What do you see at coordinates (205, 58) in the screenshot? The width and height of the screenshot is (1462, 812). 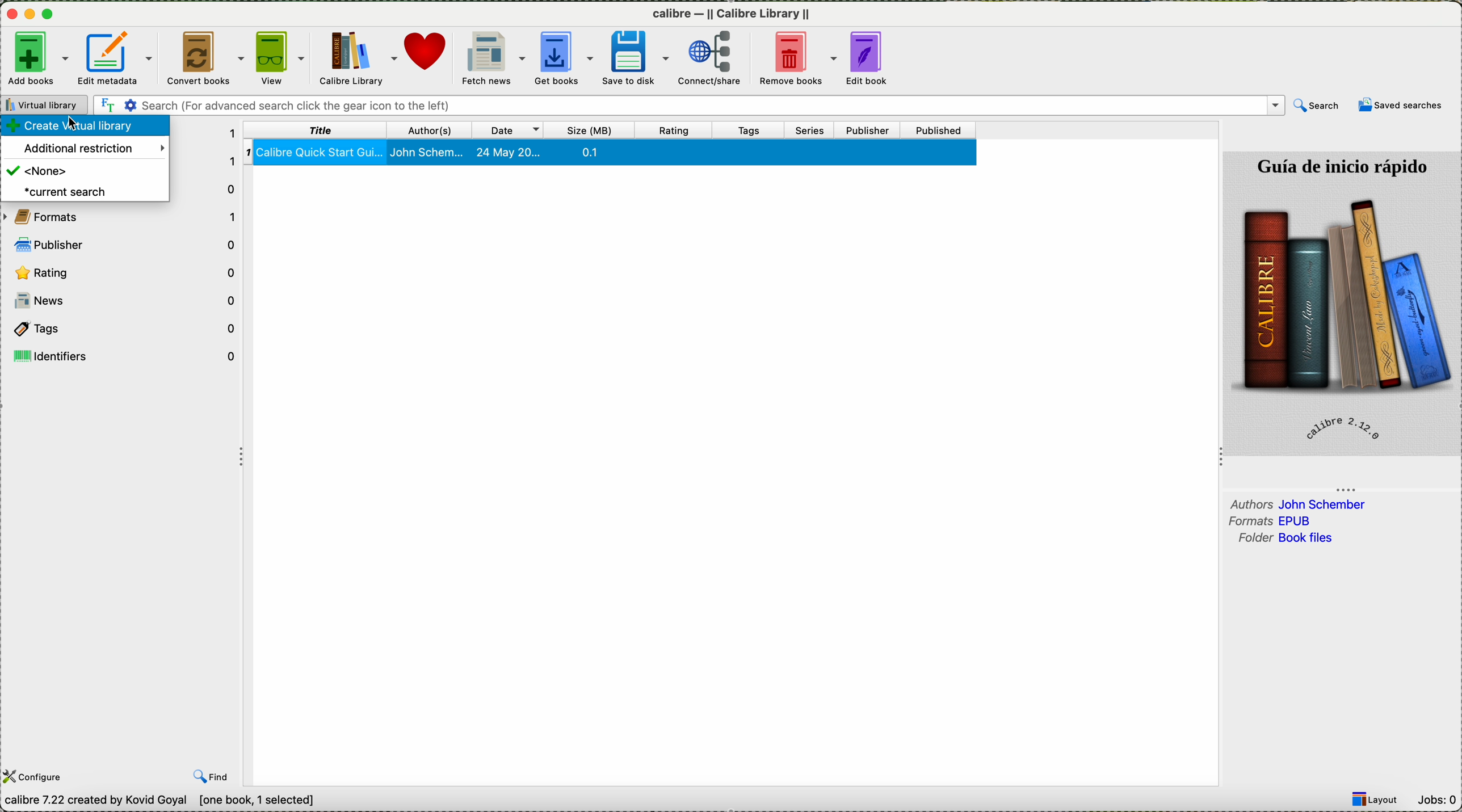 I see `convert books` at bounding box center [205, 58].